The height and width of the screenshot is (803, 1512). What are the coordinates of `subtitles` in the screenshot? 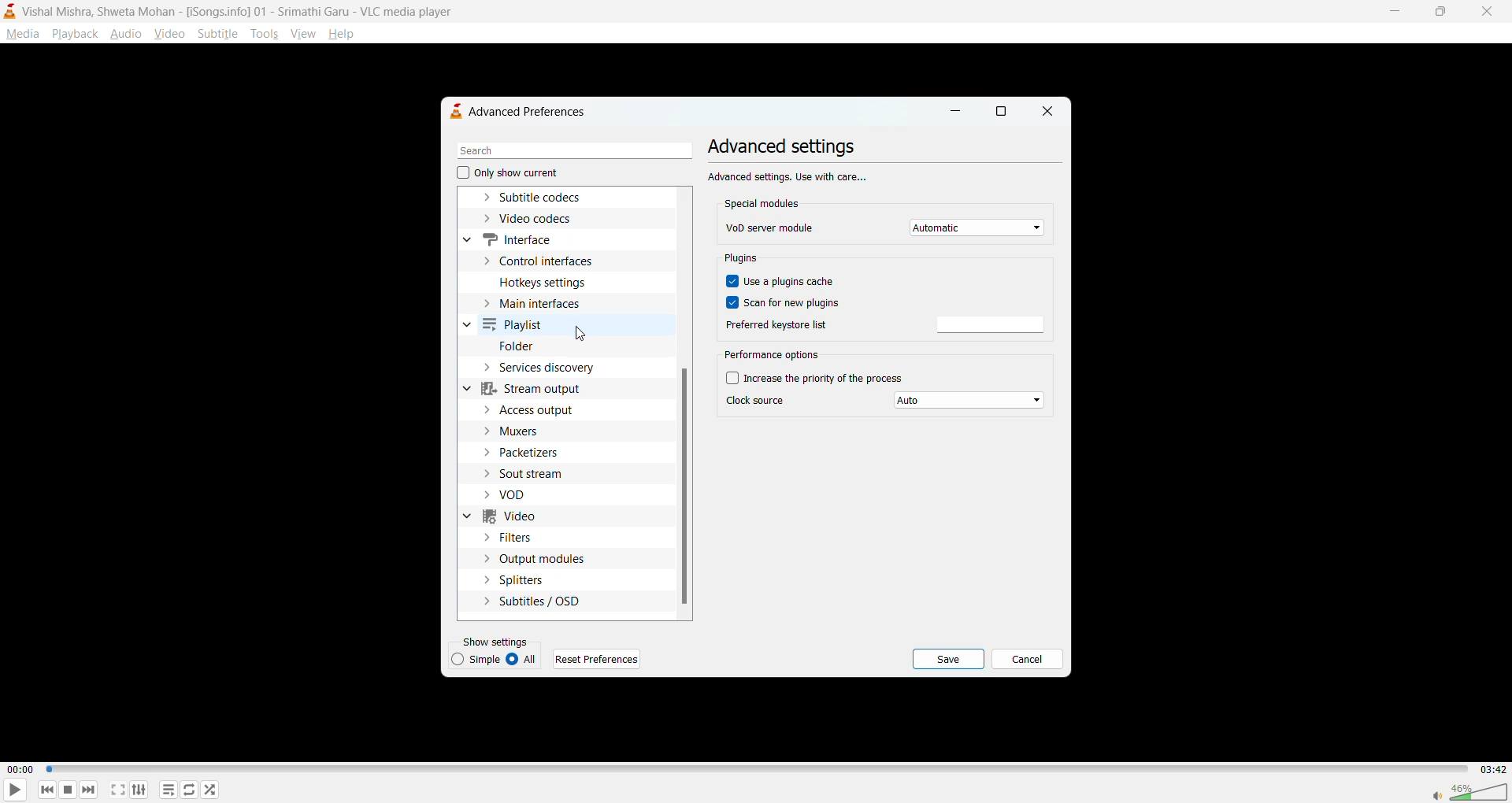 It's located at (532, 600).